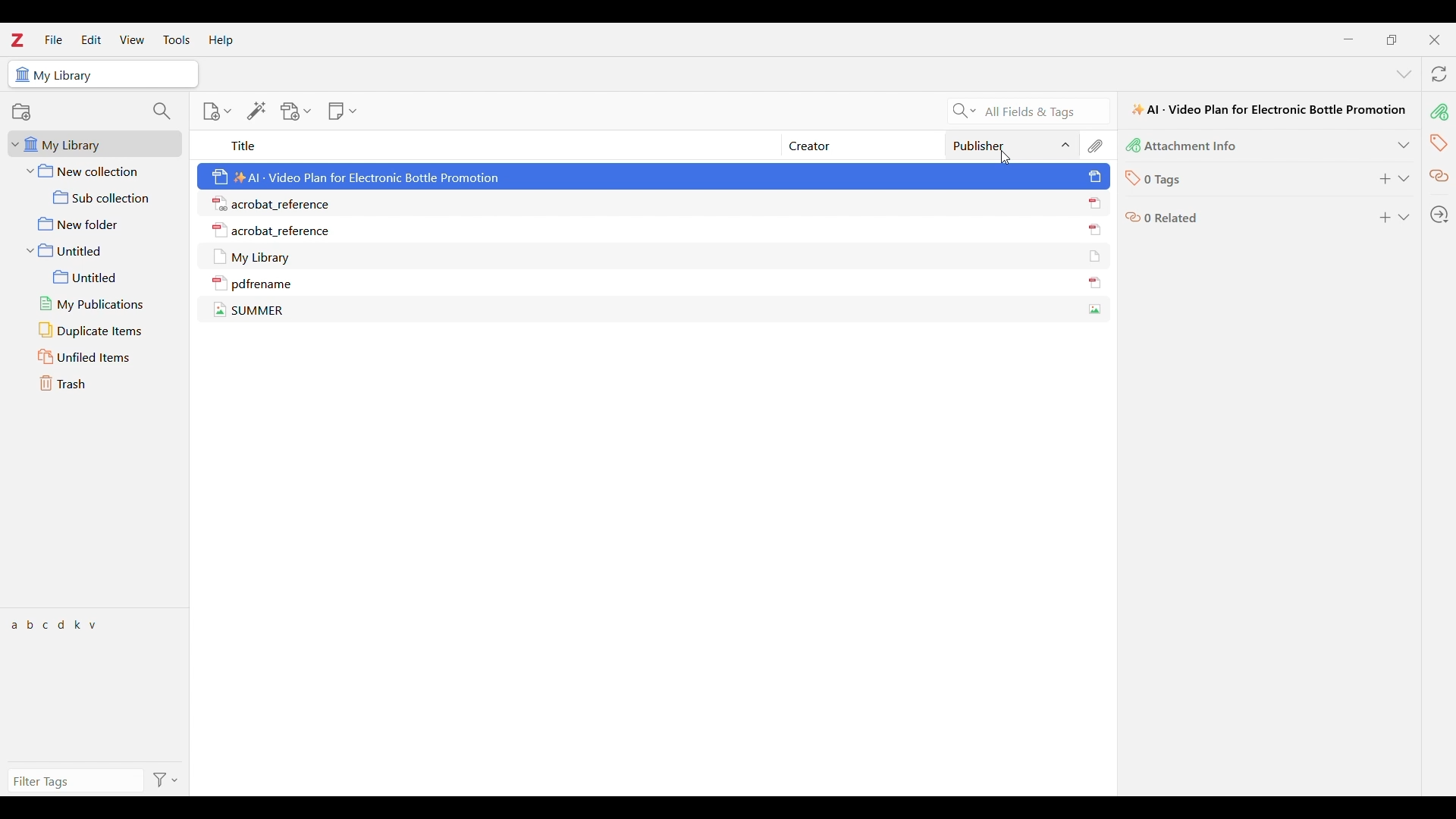 The width and height of the screenshot is (1456, 819). Describe the element at coordinates (1094, 231) in the screenshot. I see `icon` at that location.